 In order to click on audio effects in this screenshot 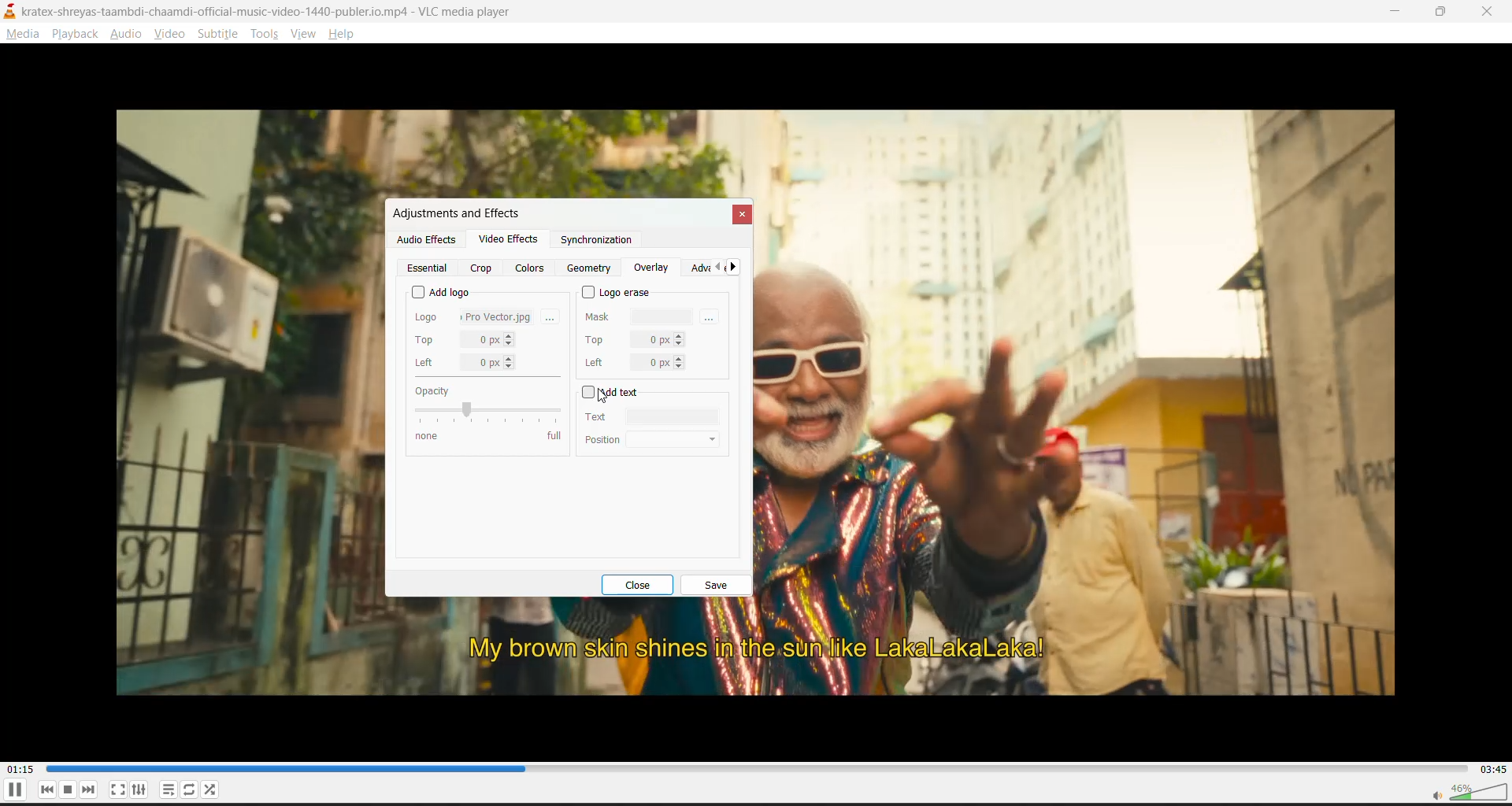, I will do `click(426, 239)`.